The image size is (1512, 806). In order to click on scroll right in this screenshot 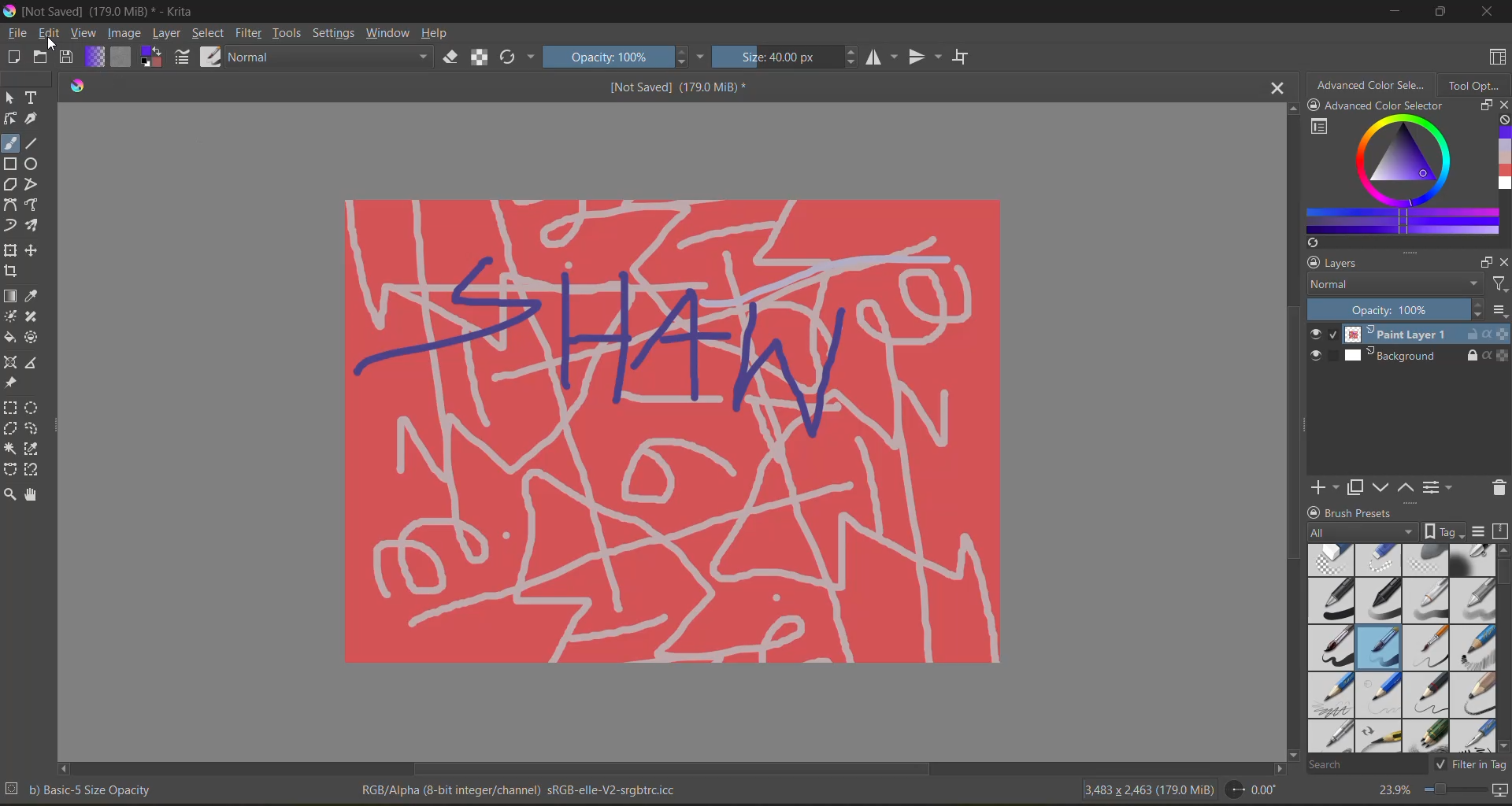, I will do `click(1275, 764)`.